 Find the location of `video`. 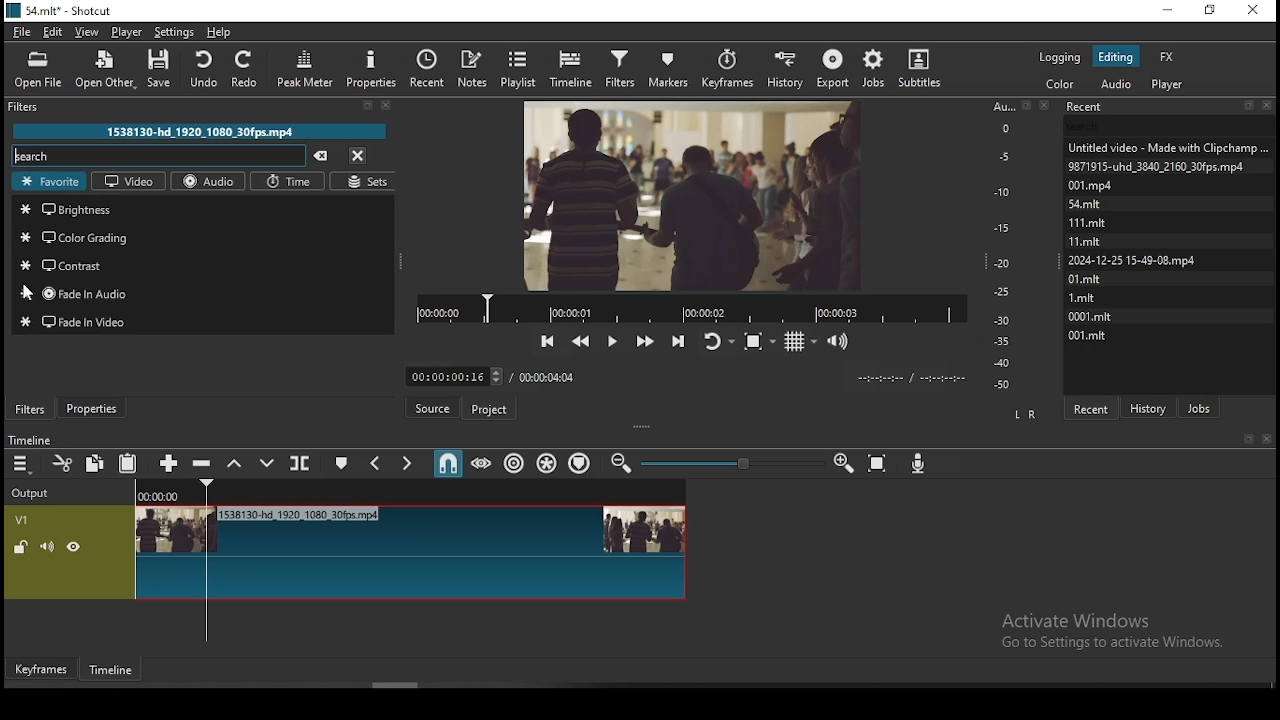

video is located at coordinates (129, 180).